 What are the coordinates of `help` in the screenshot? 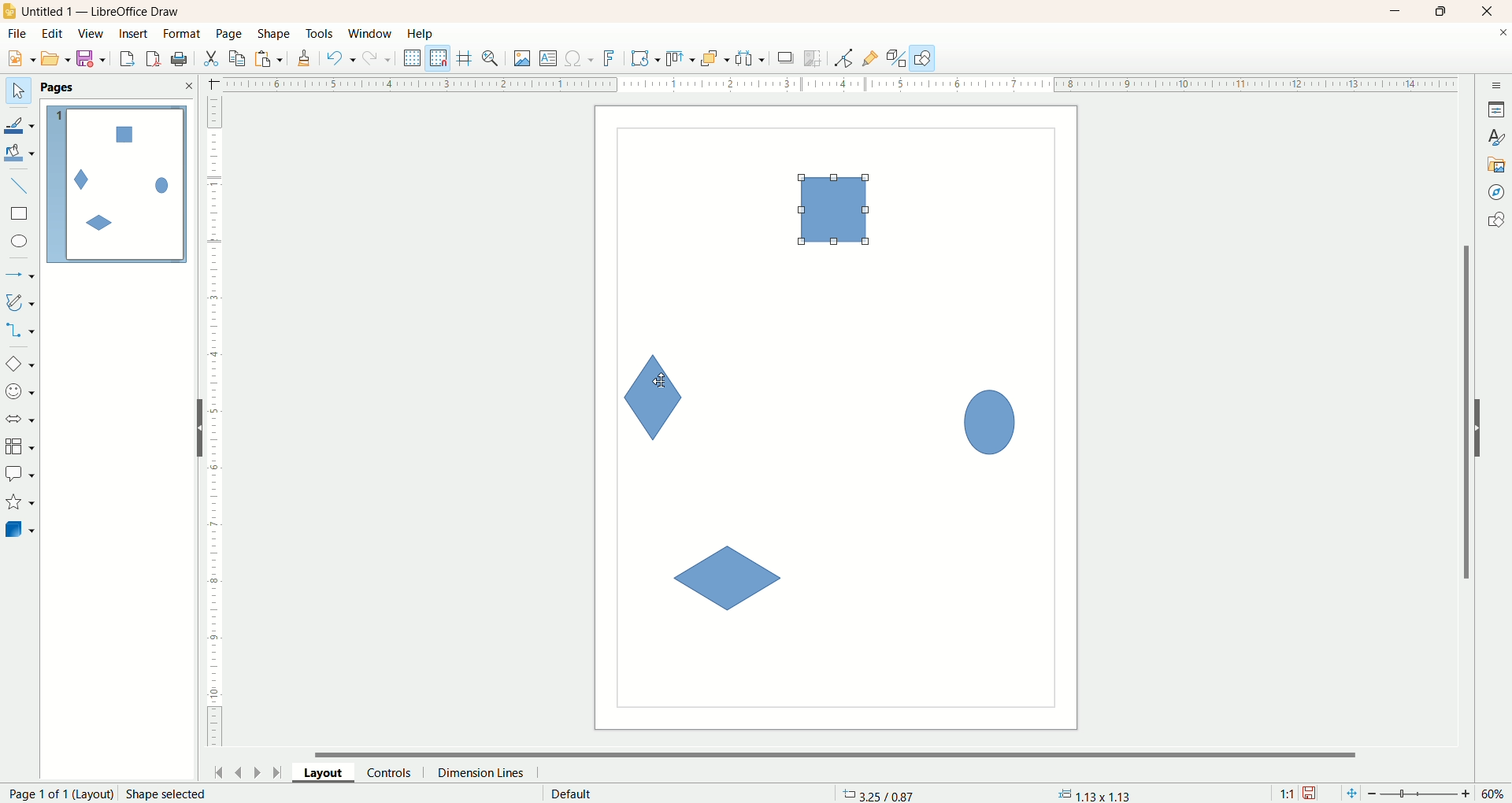 It's located at (421, 34).